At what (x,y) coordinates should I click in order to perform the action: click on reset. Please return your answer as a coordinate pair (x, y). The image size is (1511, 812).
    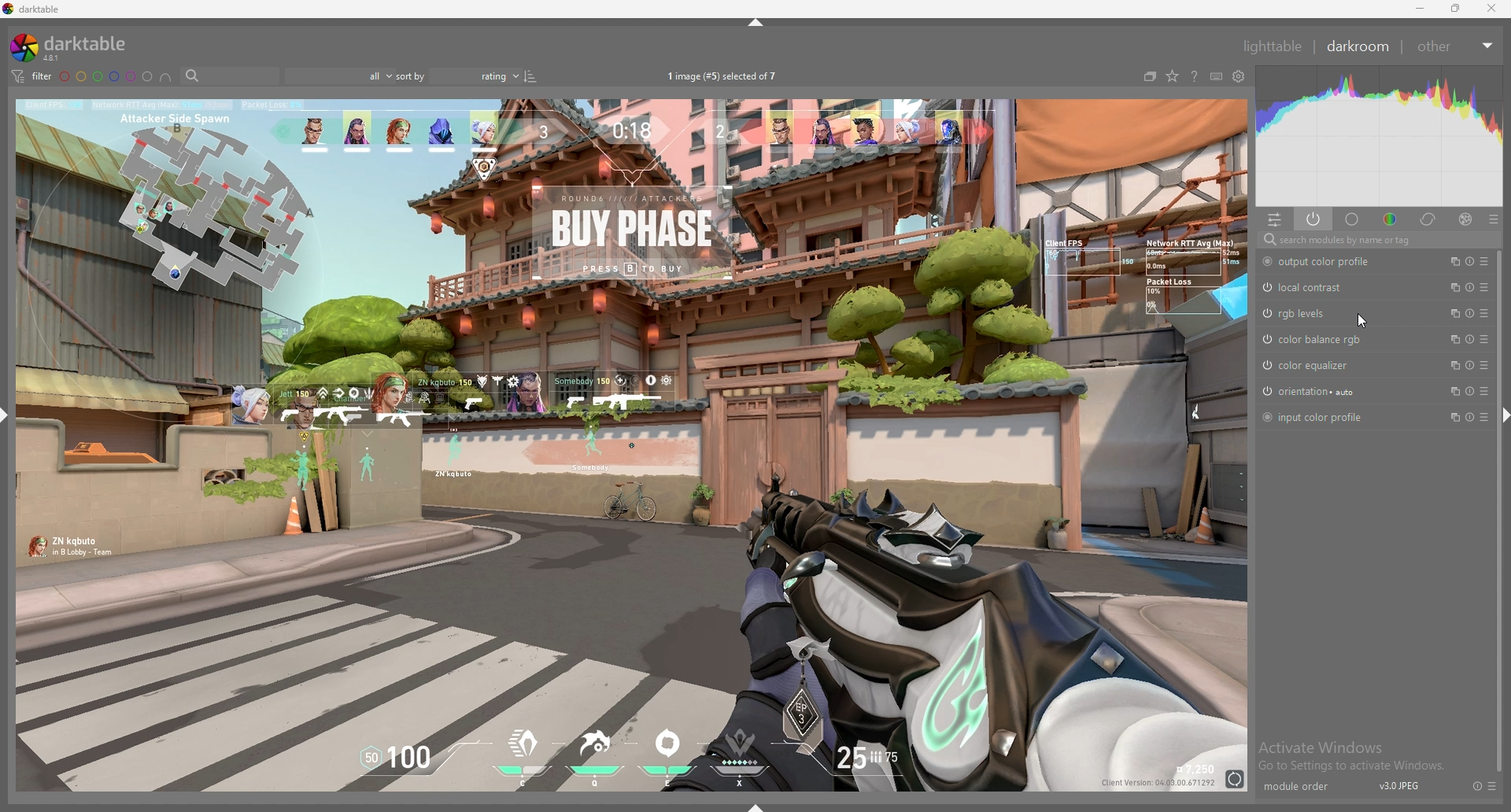
    Looking at the image, I should click on (1471, 391).